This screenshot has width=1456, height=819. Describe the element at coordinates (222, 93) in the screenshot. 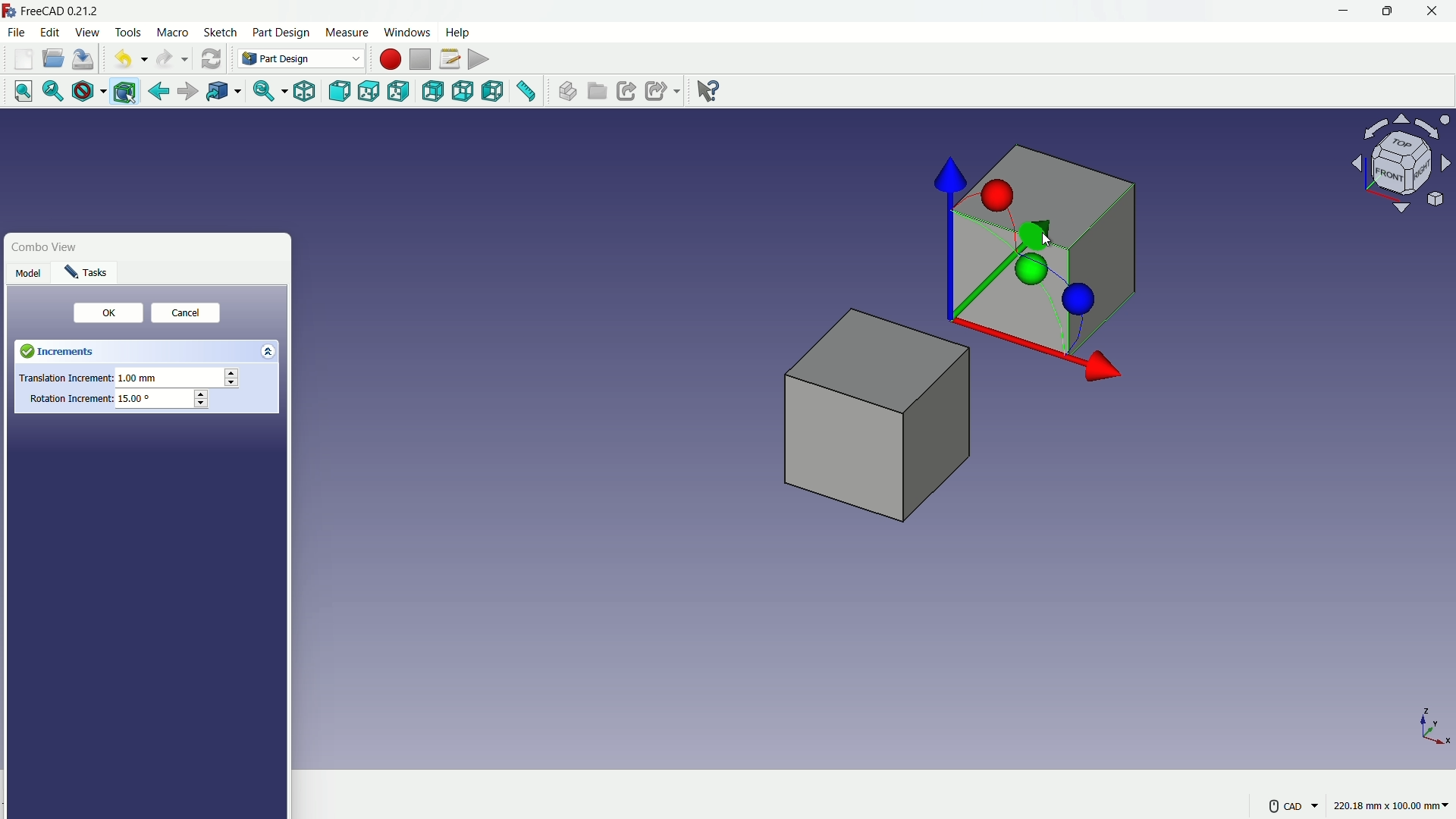

I see `go to linked object` at that location.